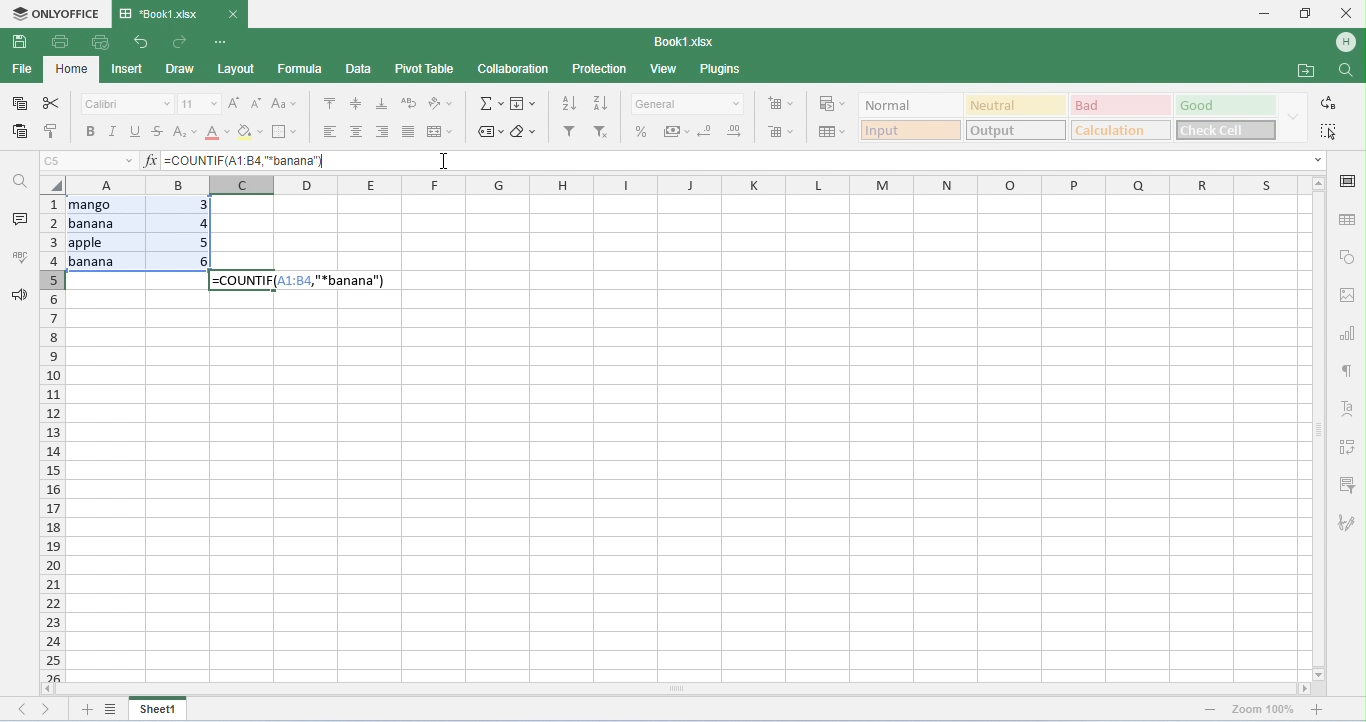  Describe the element at coordinates (185, 134) in the screenshot. I see `superscript / subscript` at that location.